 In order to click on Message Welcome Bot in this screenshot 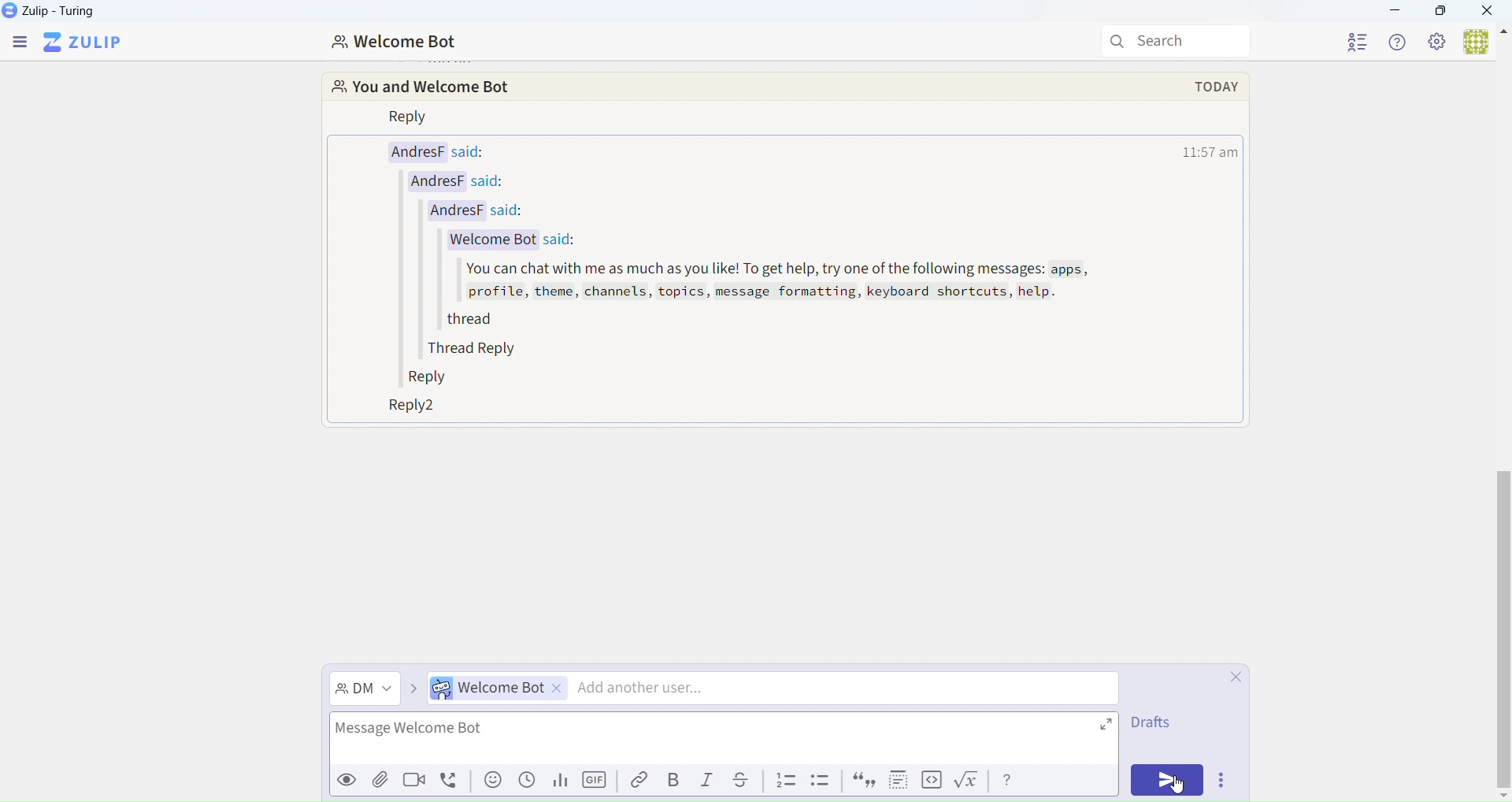, I will do `click(713, 737)`.